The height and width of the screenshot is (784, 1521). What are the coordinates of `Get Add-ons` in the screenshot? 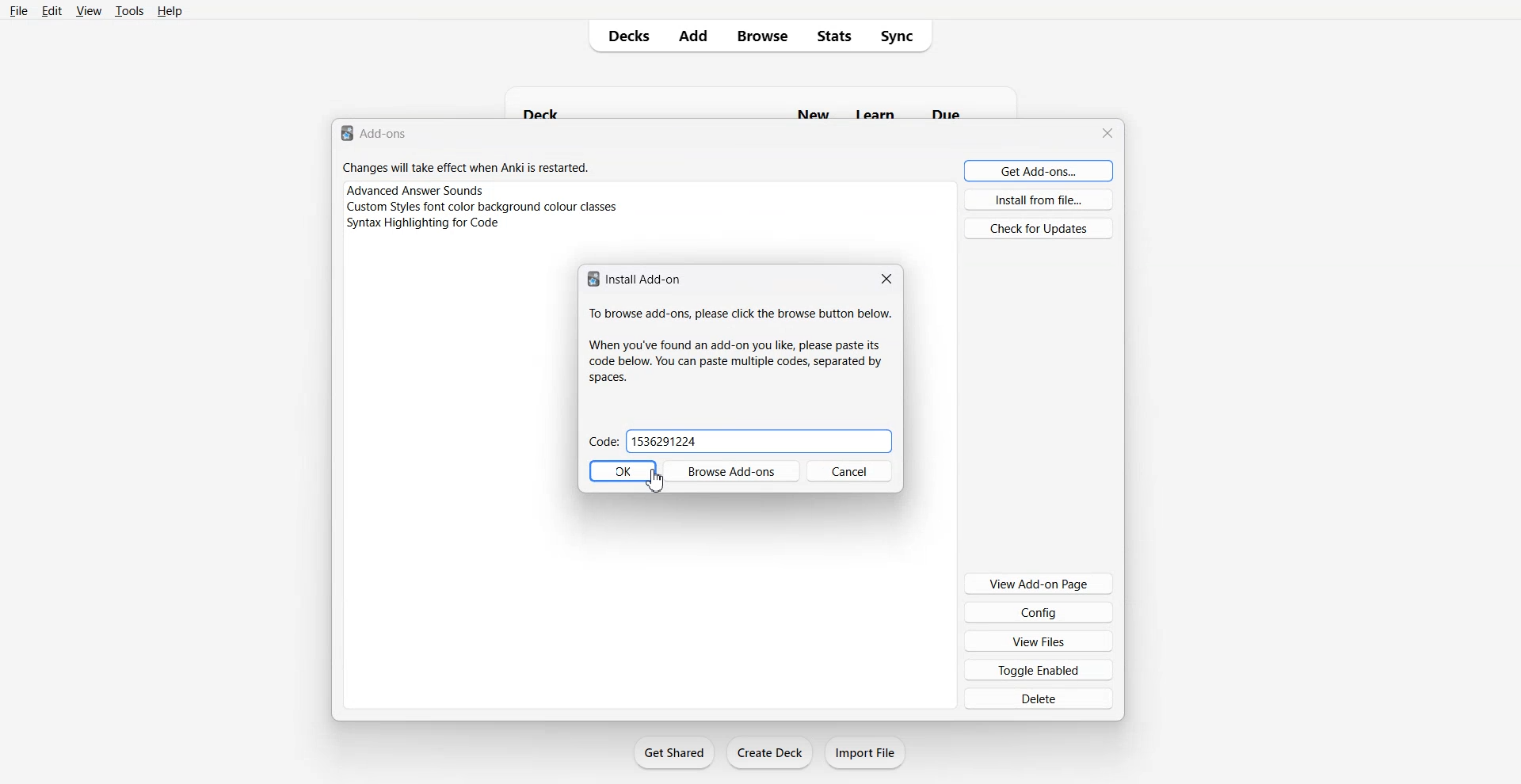 It's located at (1039, 170).